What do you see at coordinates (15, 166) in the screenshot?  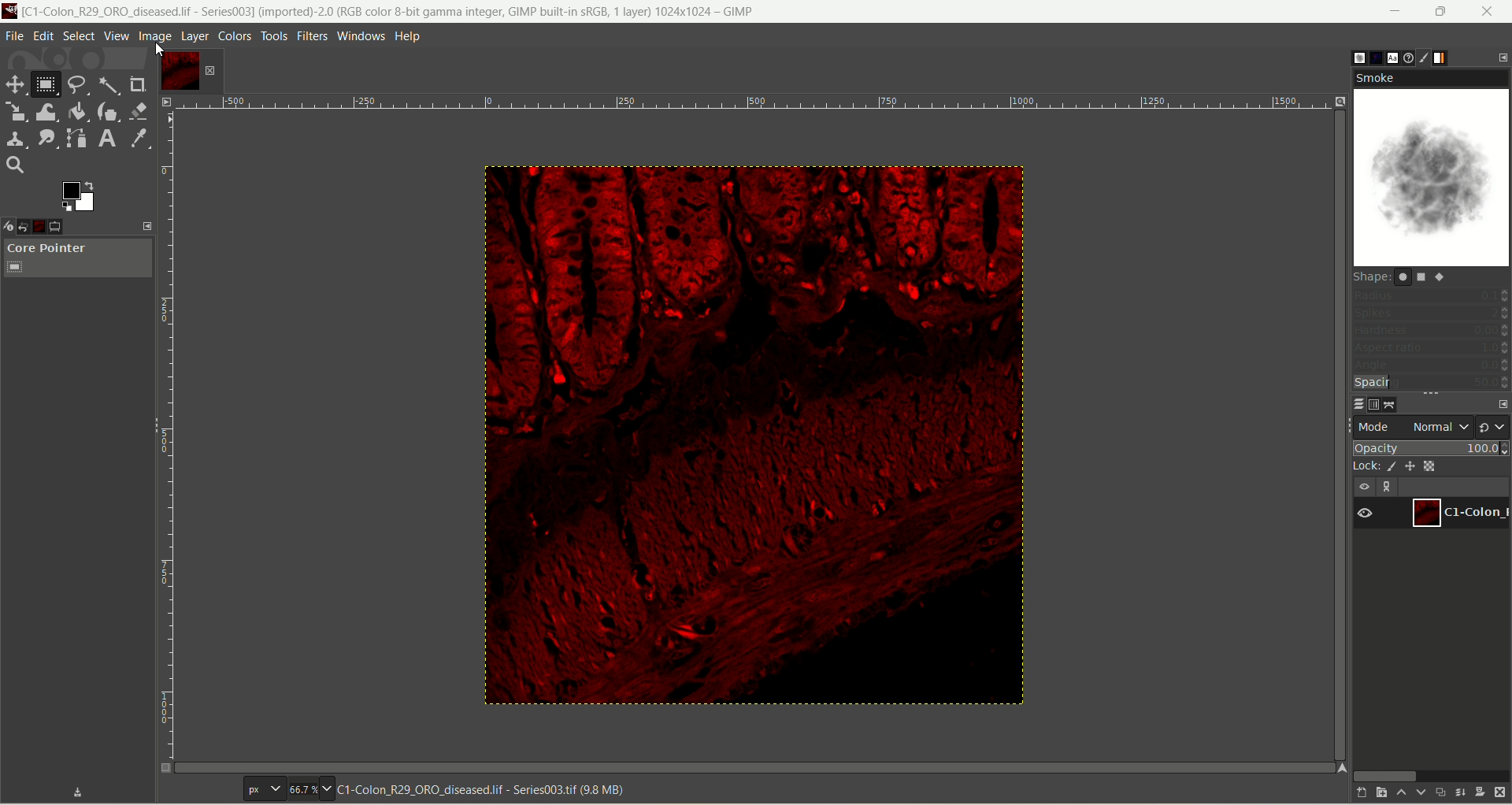 I see `search tool` at bounding box center [15, 166].